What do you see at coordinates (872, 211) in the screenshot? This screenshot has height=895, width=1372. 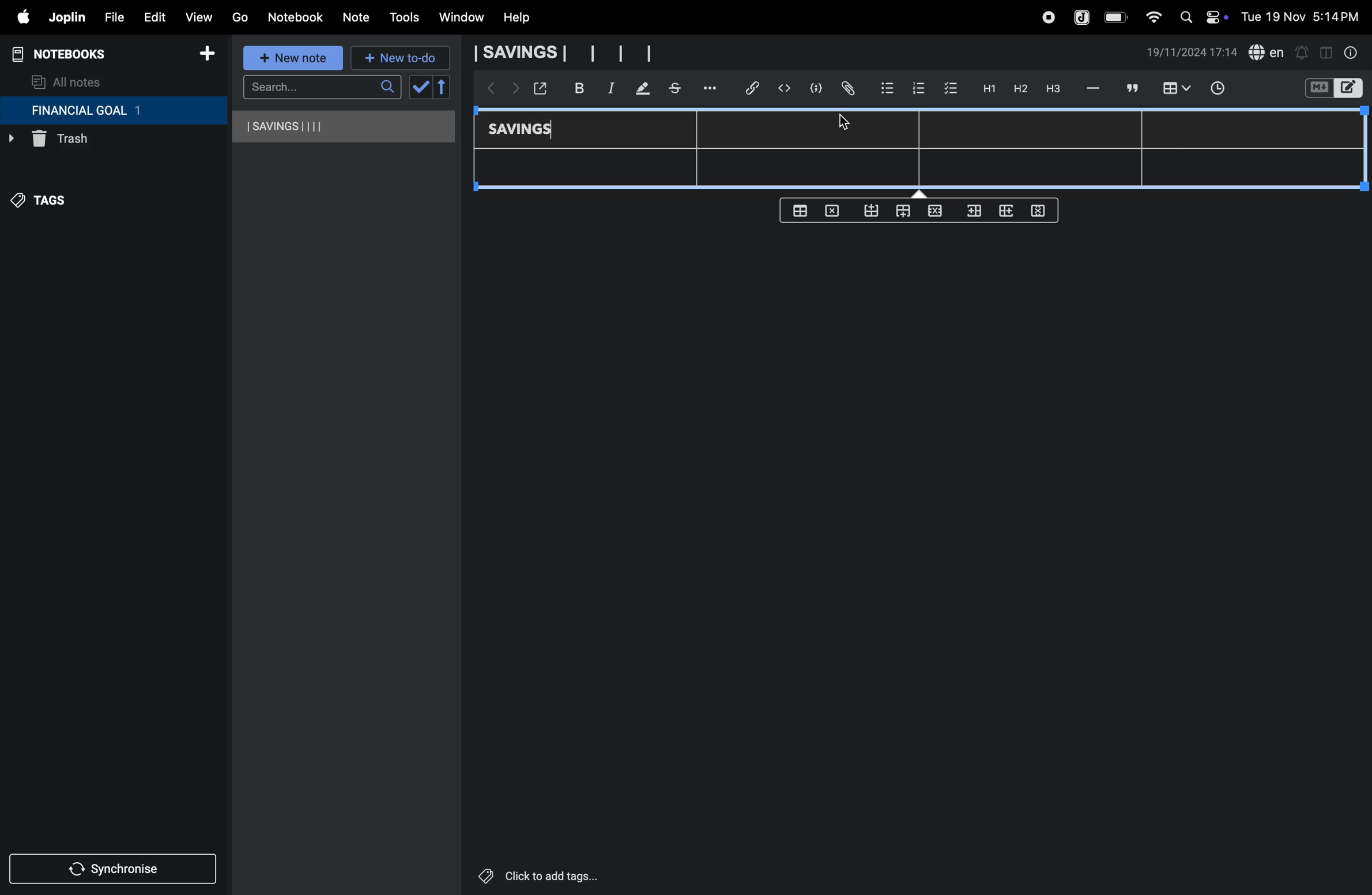 I see `from bottom` at bounding box center [872, 211].